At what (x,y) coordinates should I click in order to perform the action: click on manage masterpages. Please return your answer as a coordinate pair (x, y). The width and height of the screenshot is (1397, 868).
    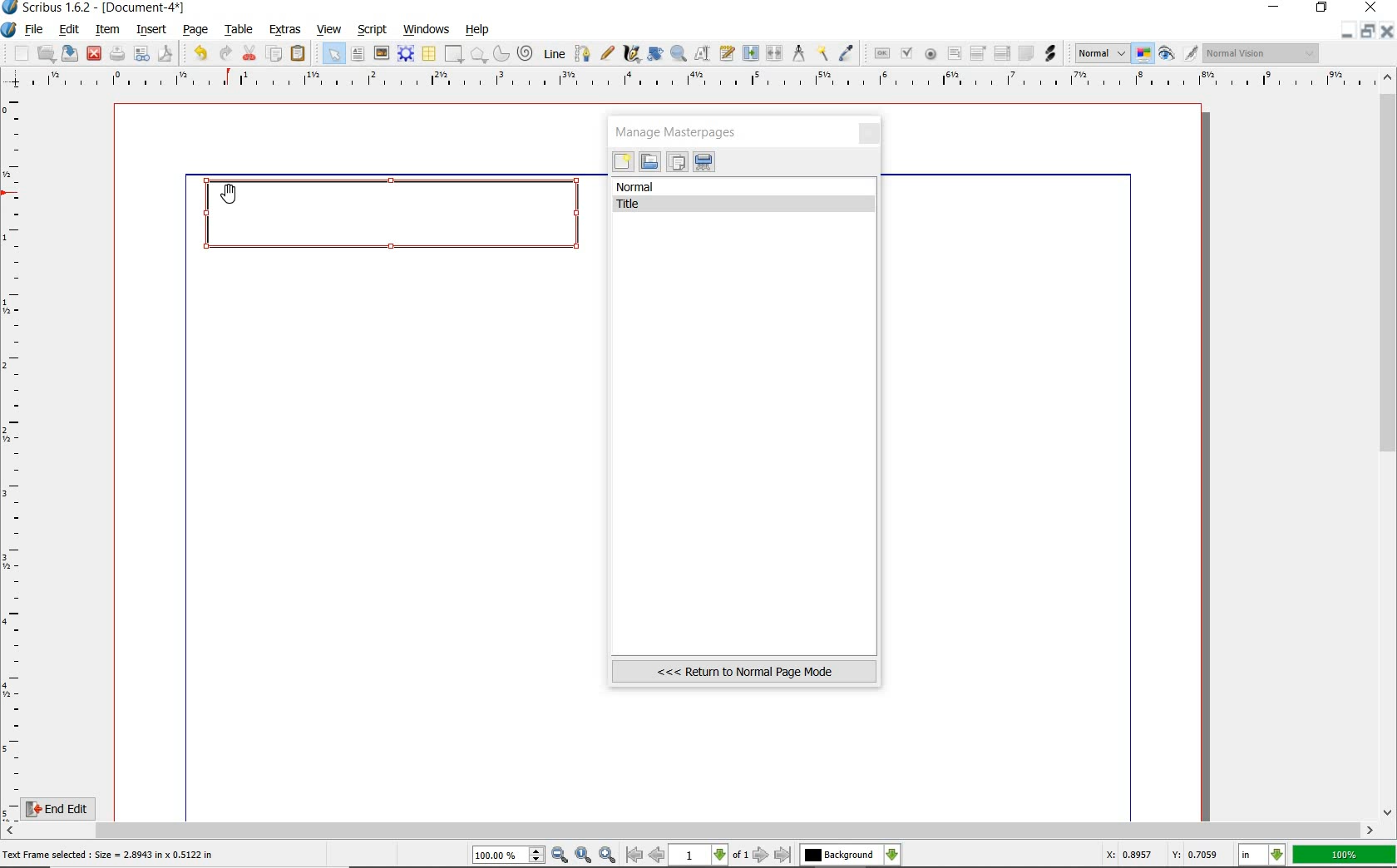
    Looking at the image, I should click on (681, 131).